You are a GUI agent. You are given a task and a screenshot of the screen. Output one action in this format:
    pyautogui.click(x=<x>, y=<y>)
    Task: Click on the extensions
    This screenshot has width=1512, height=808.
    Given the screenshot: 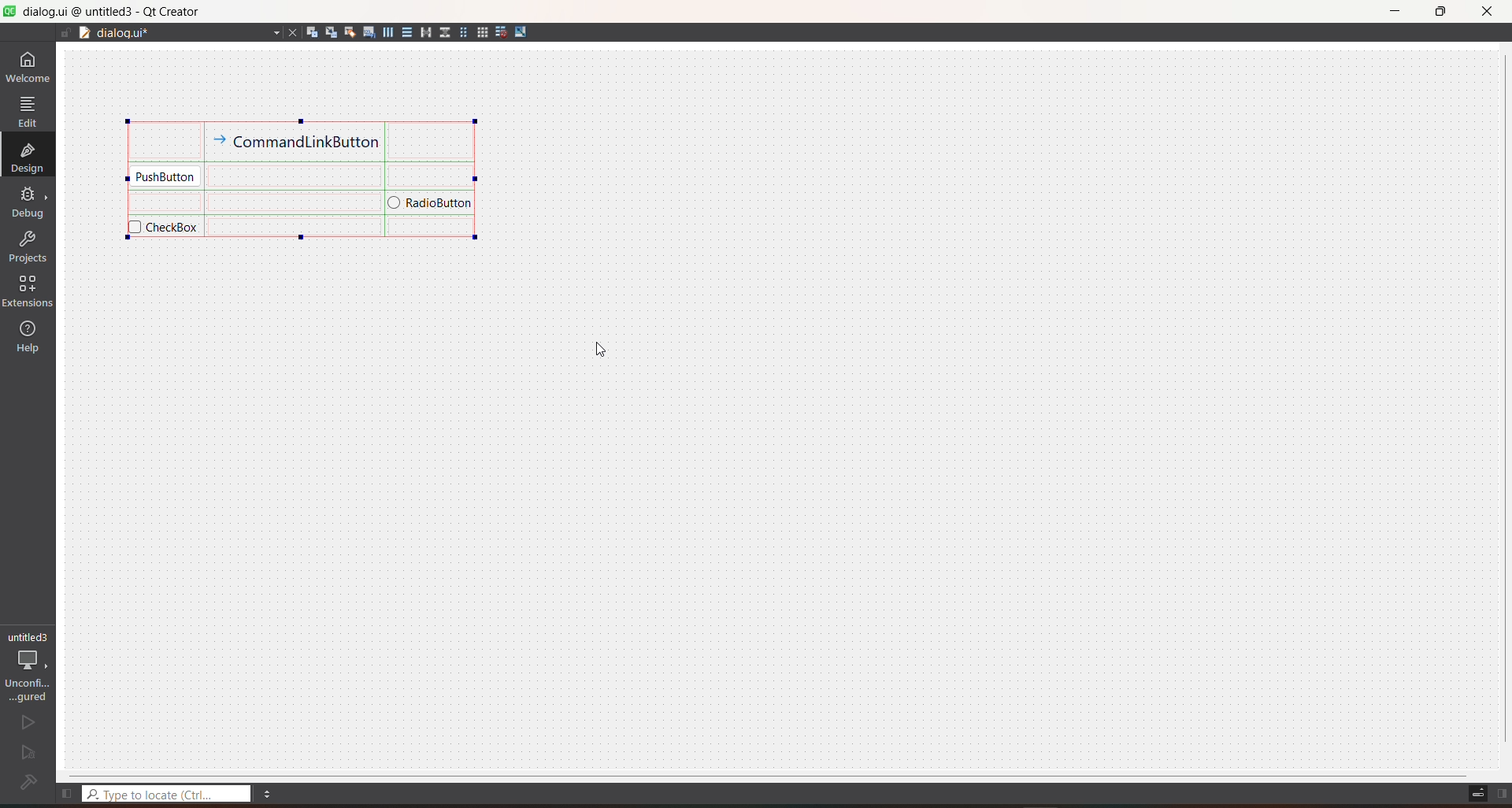 What is the action you would take?
    pyautogui.click(x=28, y=291)
    